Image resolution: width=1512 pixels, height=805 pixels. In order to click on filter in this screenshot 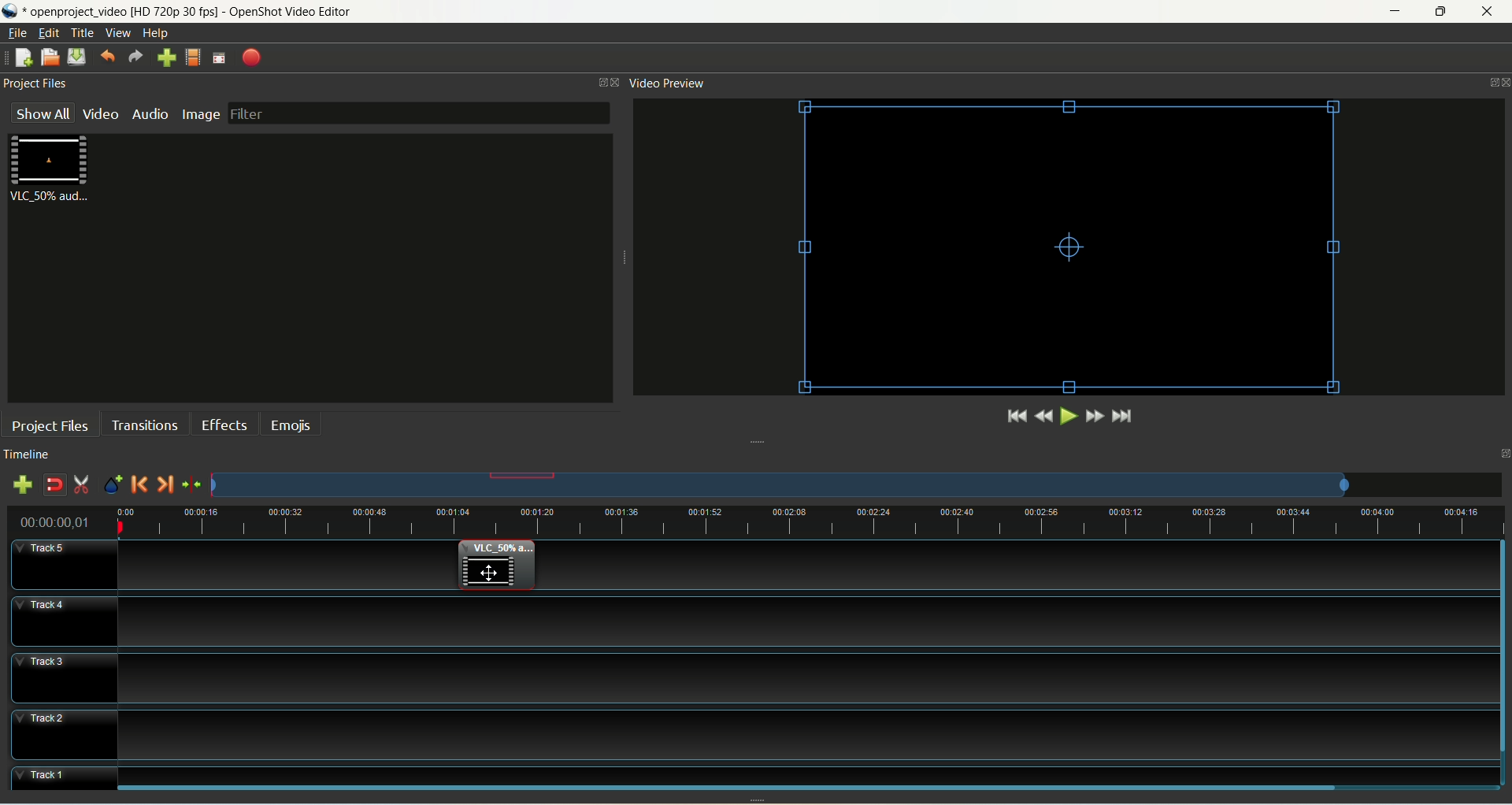, I will do `click(419, 114)`.